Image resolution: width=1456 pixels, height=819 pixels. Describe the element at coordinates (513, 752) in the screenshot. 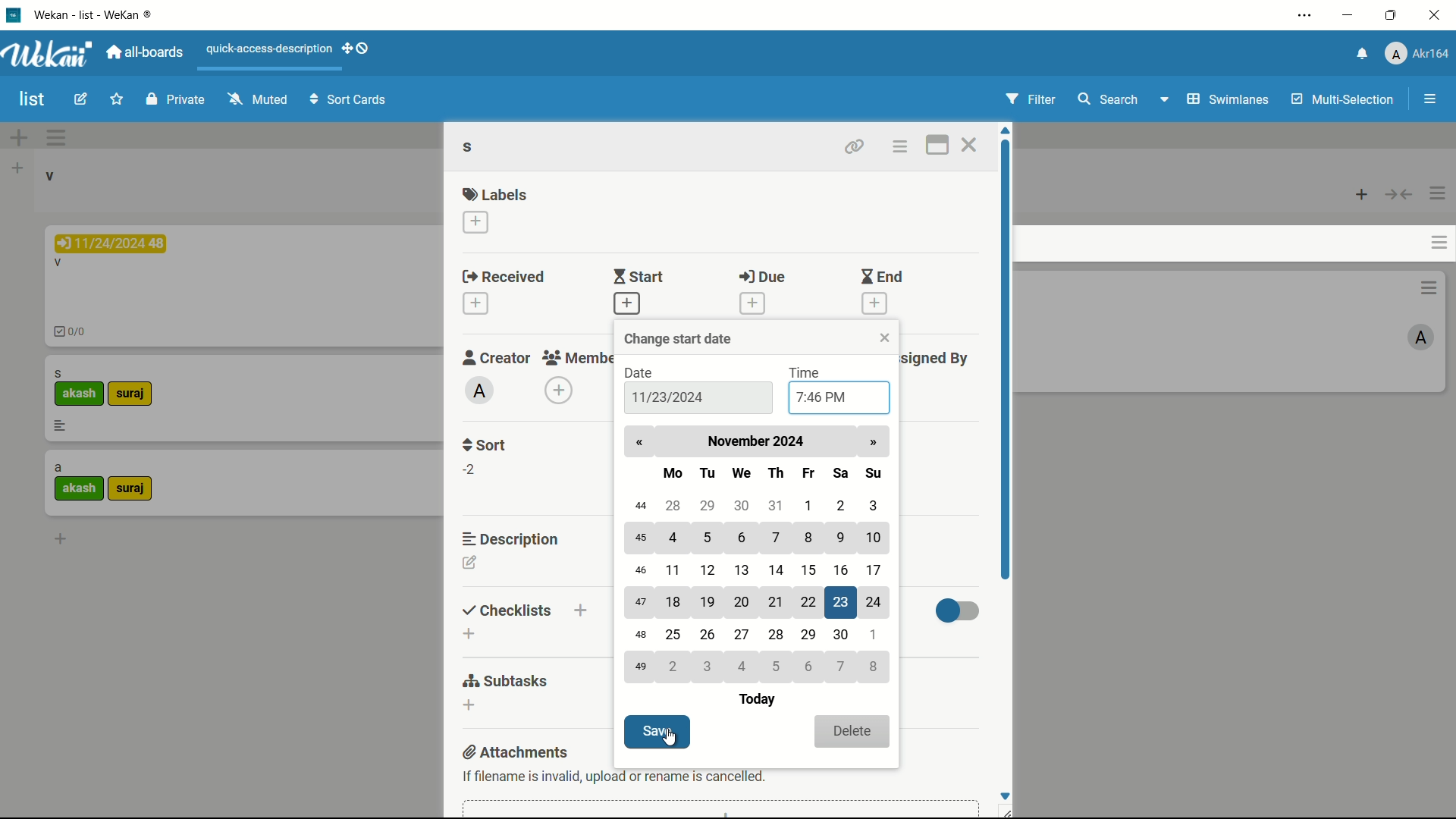

I see `attachments` at that location.